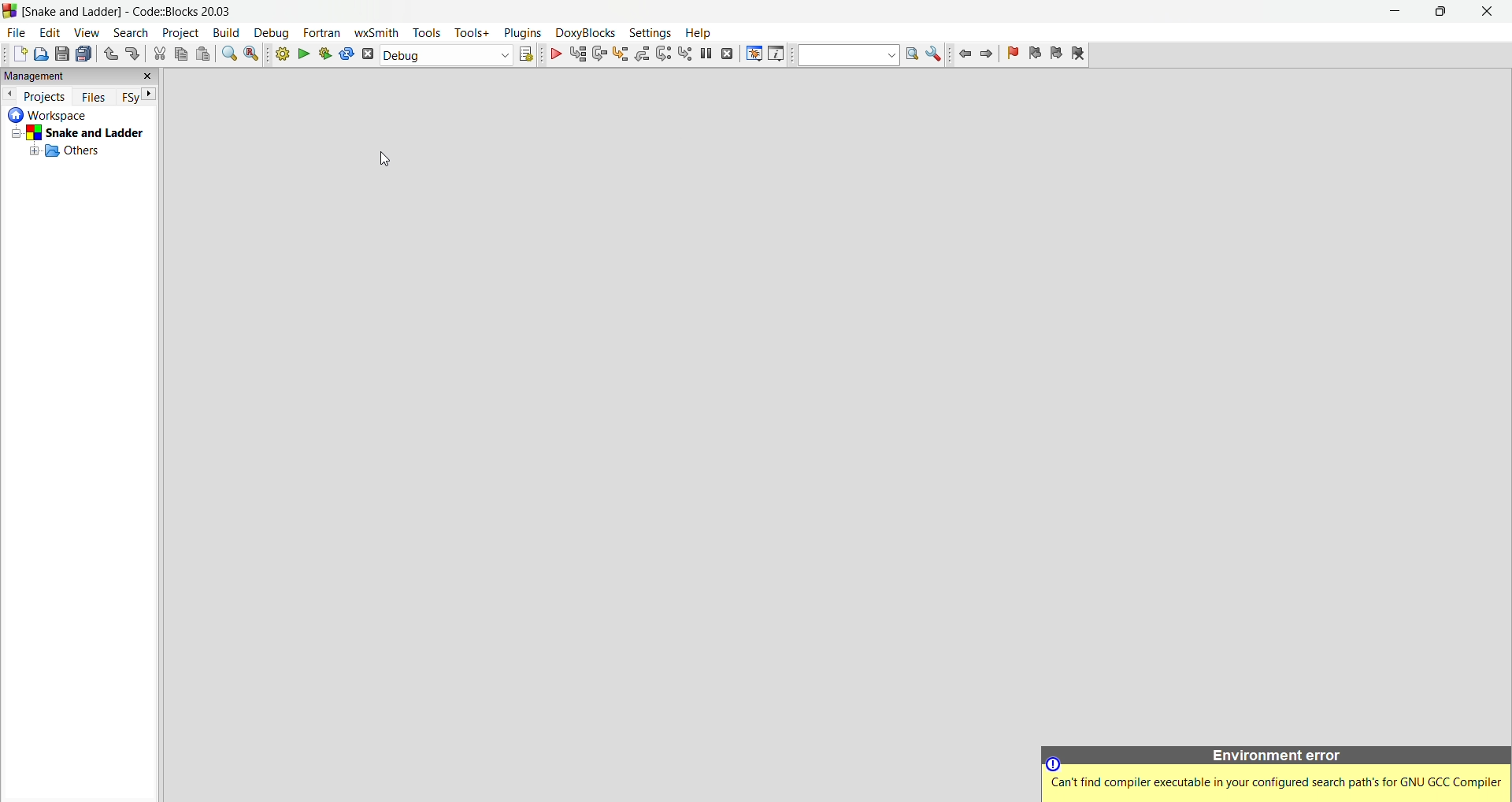 The width and height of the screenshot is (1512, 802). What do you see at coordinates (135, 12) in the screenshot?
I see `project title` at bounding box center [135, 12].